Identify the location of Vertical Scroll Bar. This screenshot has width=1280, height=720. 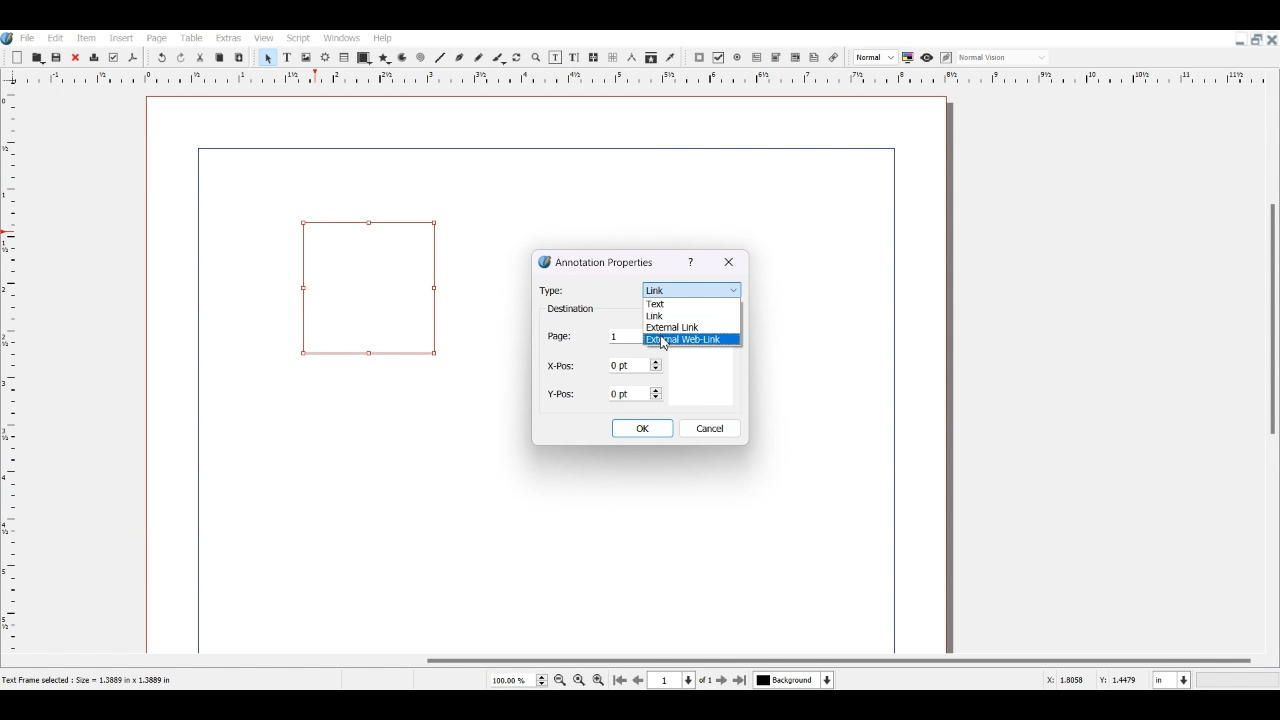
(1271, 360).